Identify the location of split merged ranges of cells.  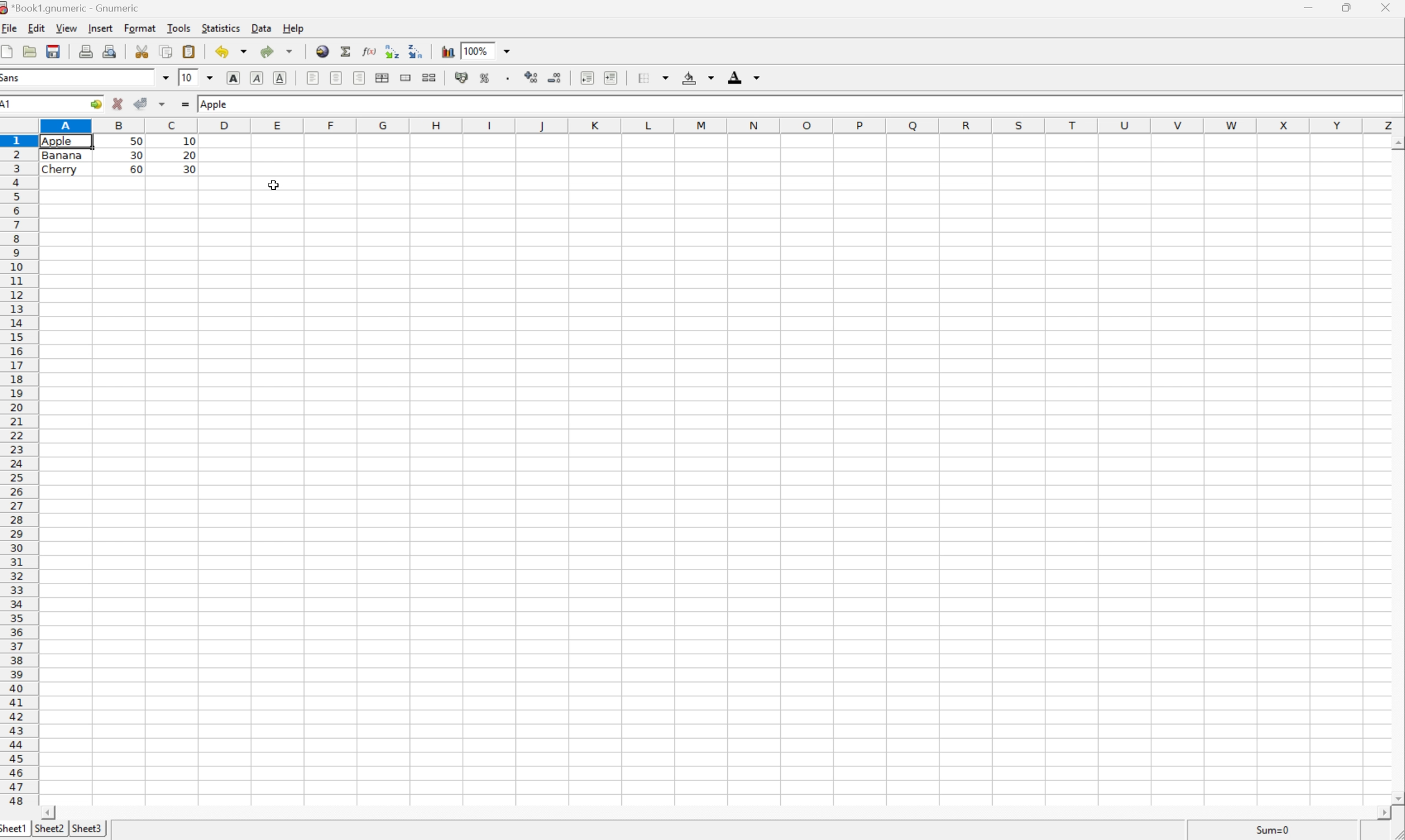
(430, 78).